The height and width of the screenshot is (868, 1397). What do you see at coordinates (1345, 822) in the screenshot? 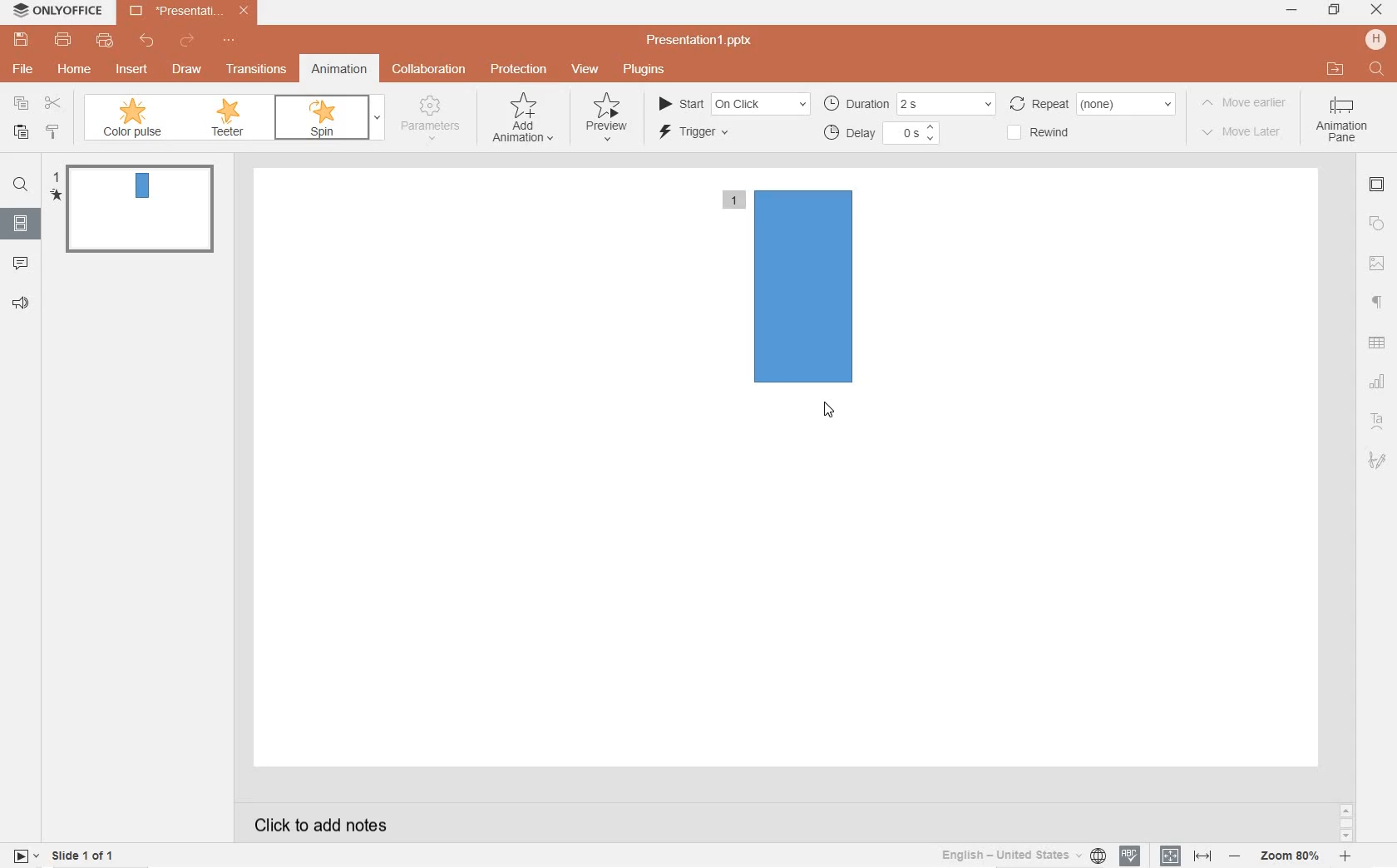
I see `scrollbar` at bounding box center [1345, 822].